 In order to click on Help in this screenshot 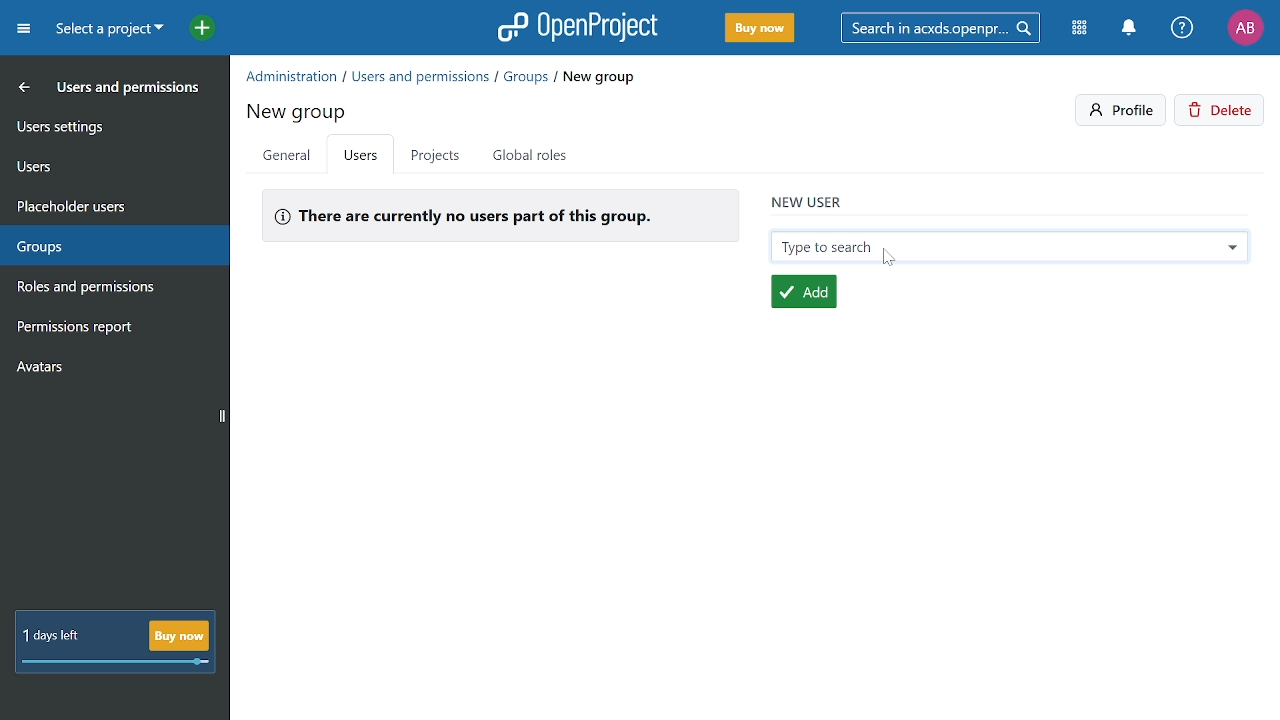, I will do `click(1183, 29)`.